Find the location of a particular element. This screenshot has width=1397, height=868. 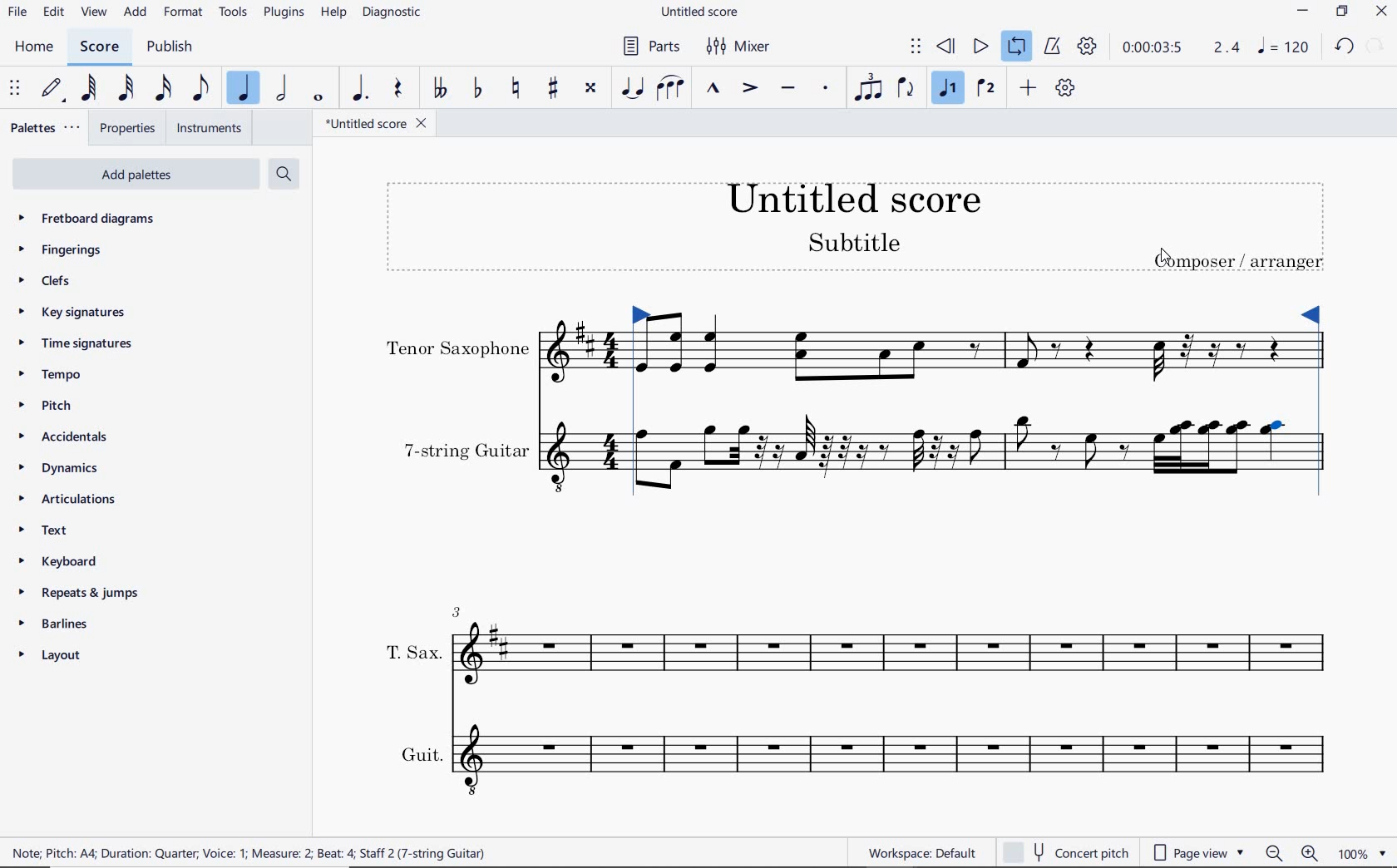

INSTRUMENT: GUIT is located at coordinates (850, 757).